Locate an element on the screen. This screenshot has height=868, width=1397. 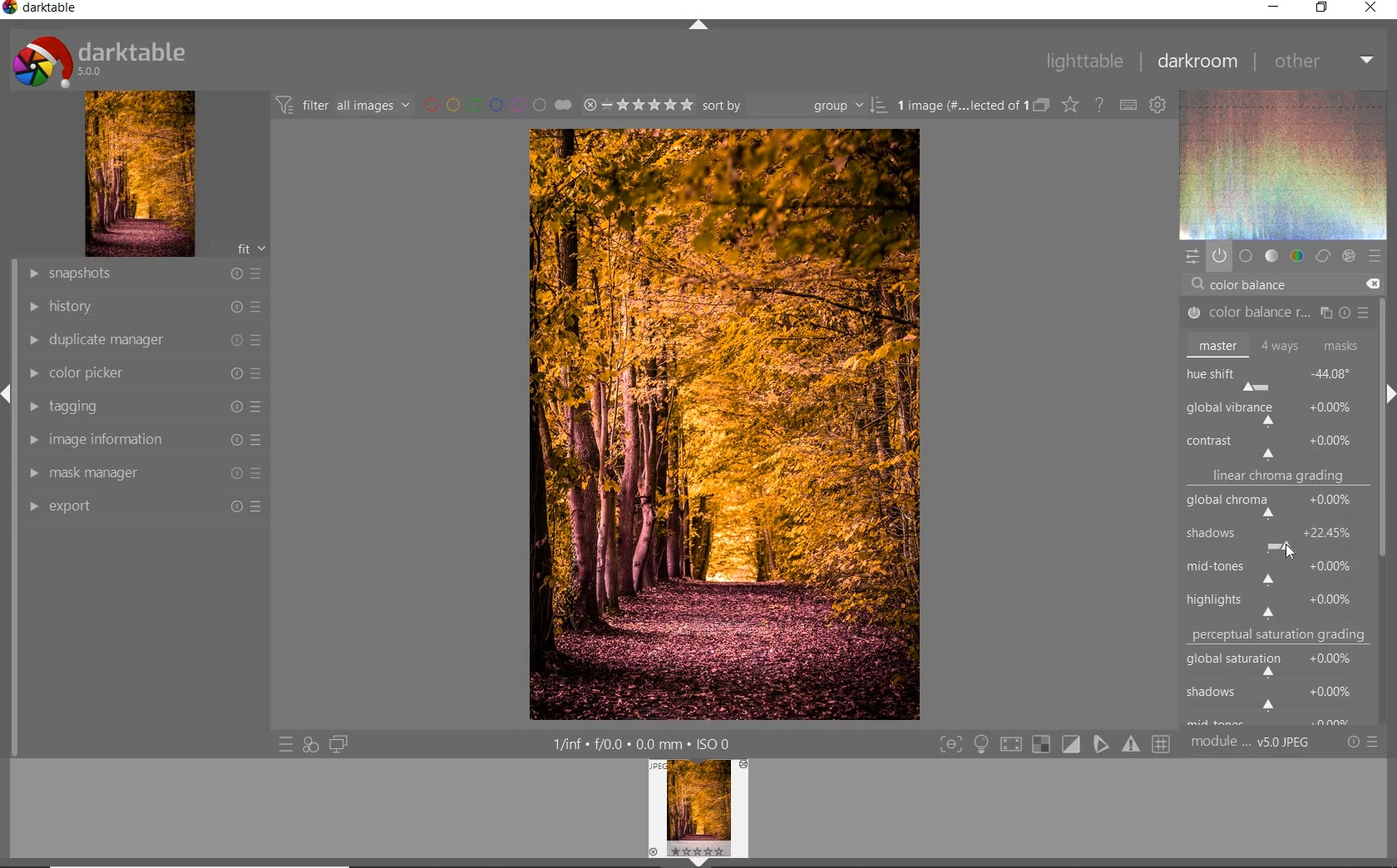
master is located at coordinates (1274, 345).